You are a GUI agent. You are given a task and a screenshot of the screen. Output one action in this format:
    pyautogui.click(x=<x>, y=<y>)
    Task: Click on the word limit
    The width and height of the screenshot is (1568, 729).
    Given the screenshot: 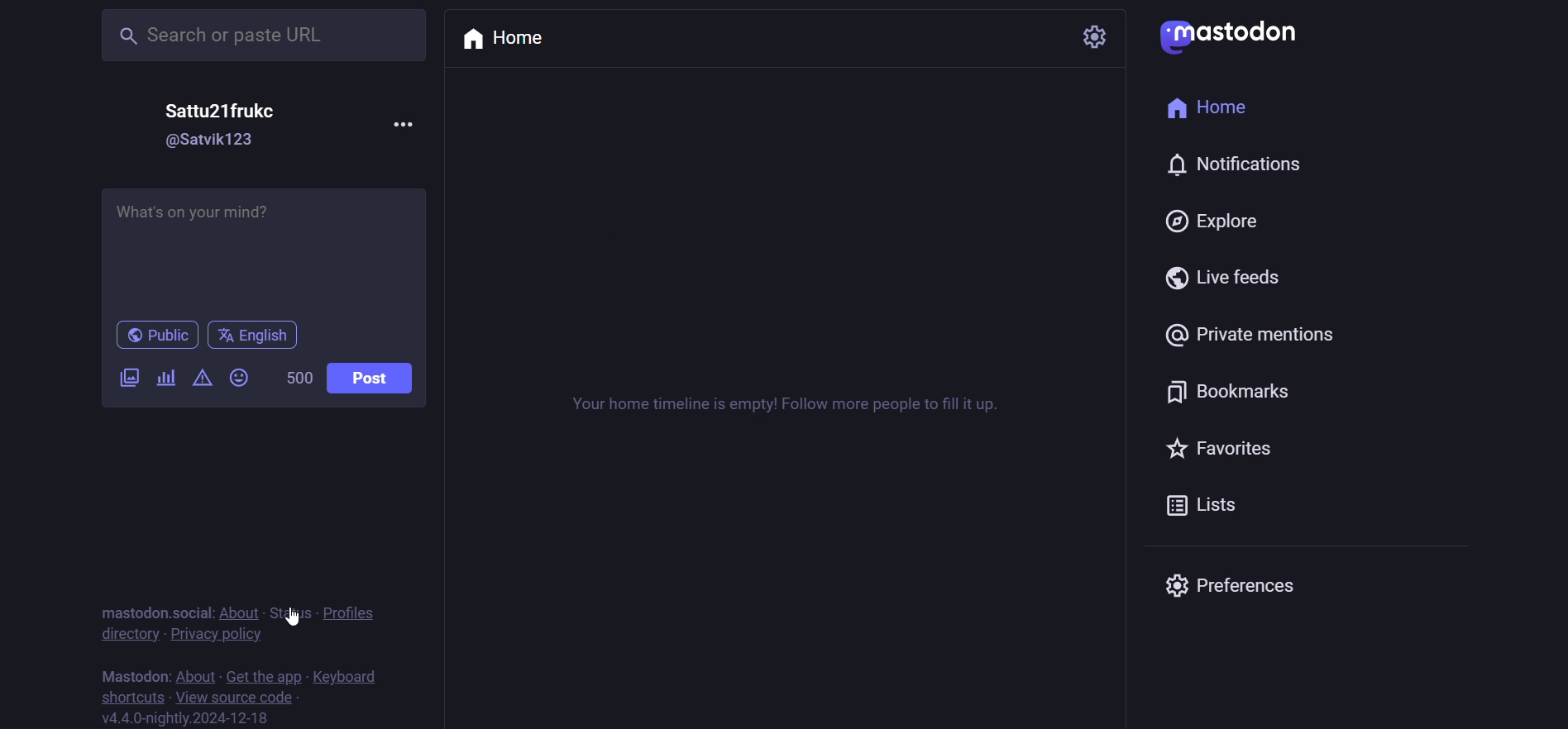 What is the action you would take?
    pyautogui.click(x=296, y=376)
    